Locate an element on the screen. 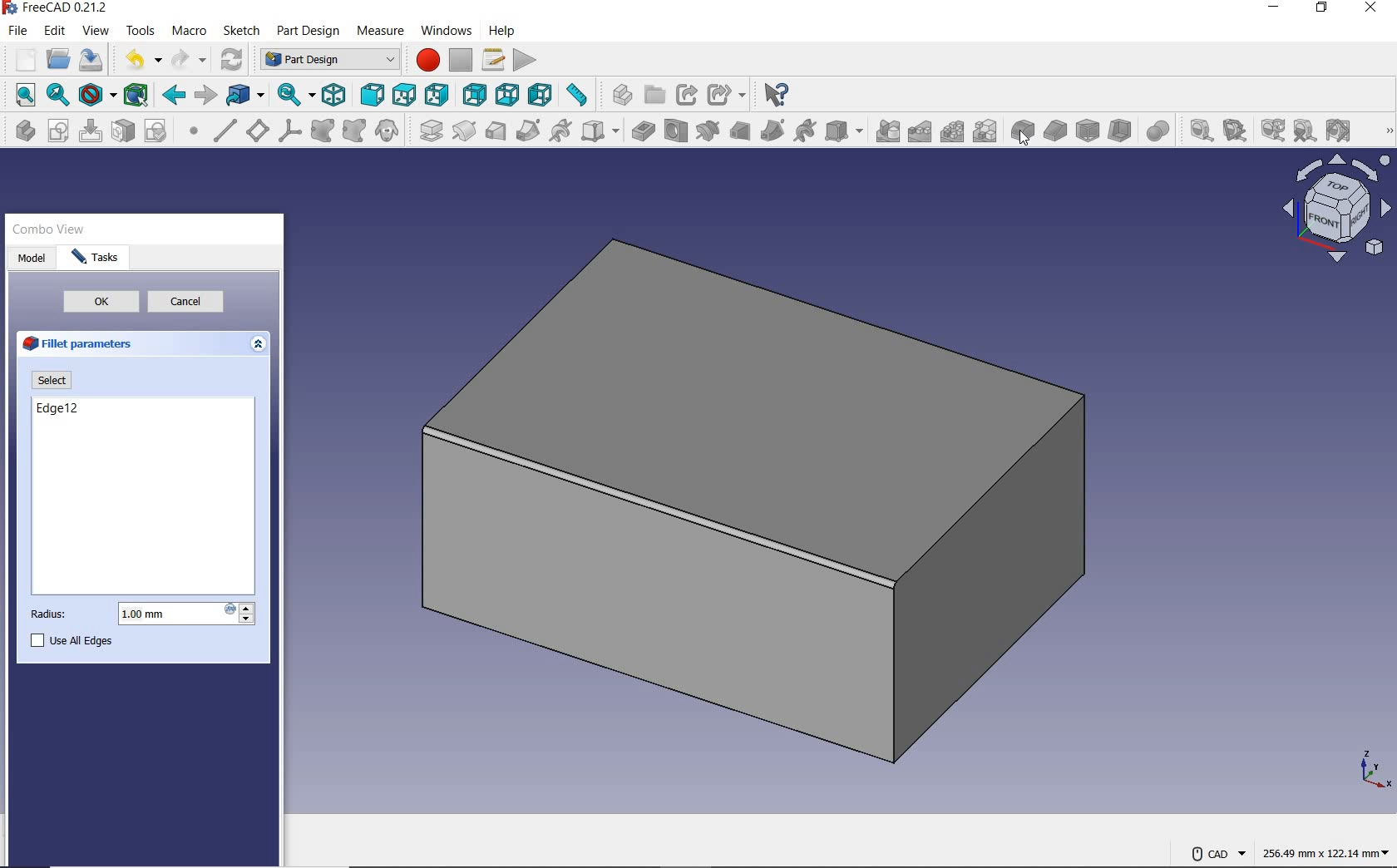  Plane view is located at coordinates (1335, 211).